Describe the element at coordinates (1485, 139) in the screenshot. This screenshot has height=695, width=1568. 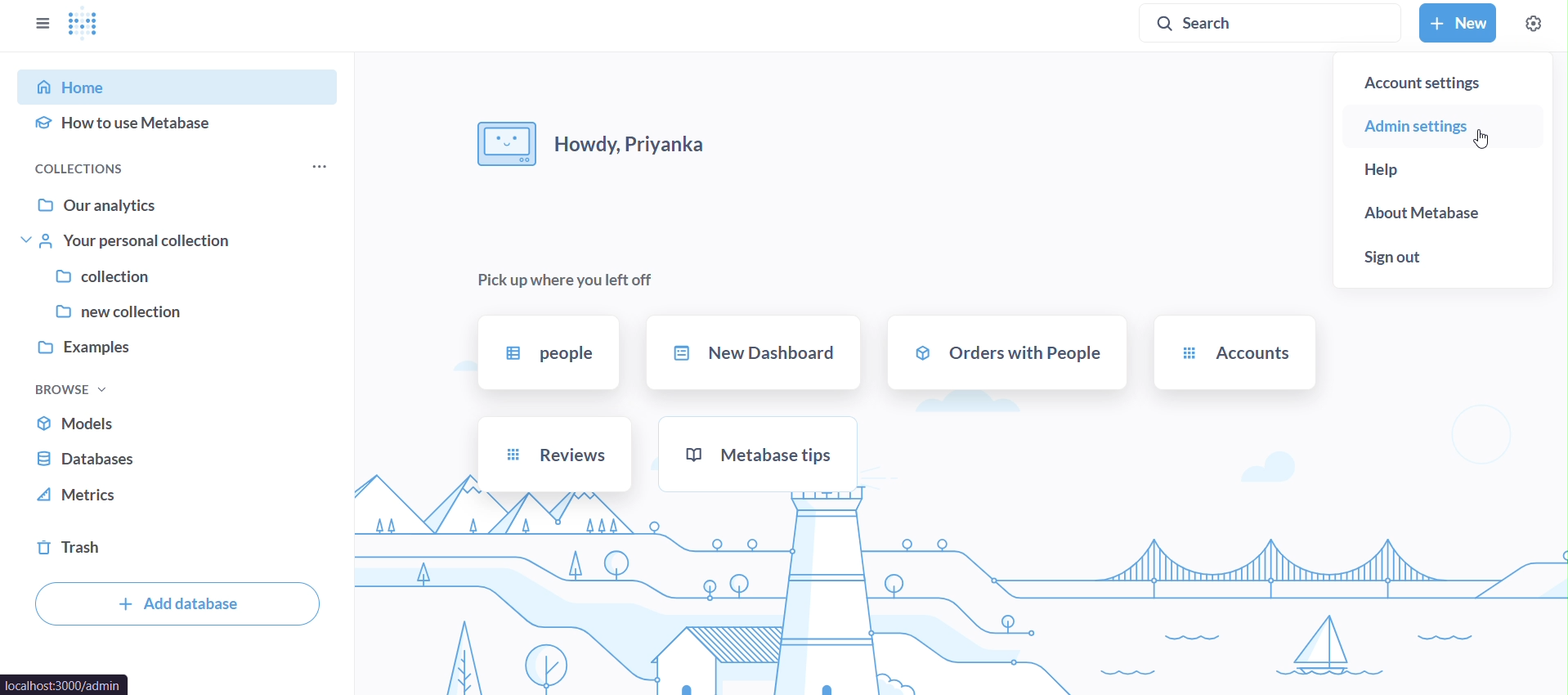
I see `cursor` at that location.